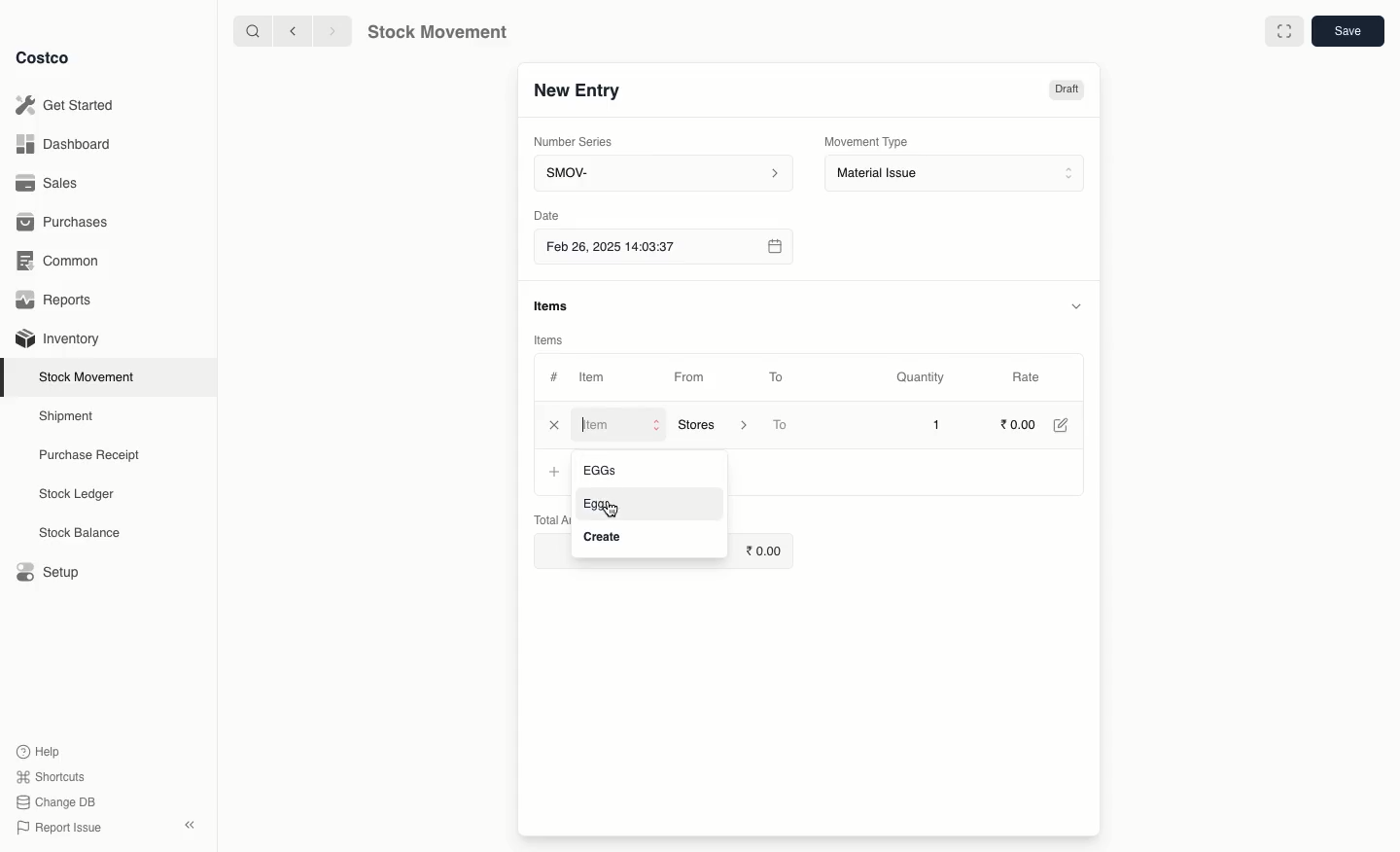  I want to click on Quantity, so click(924, 378).